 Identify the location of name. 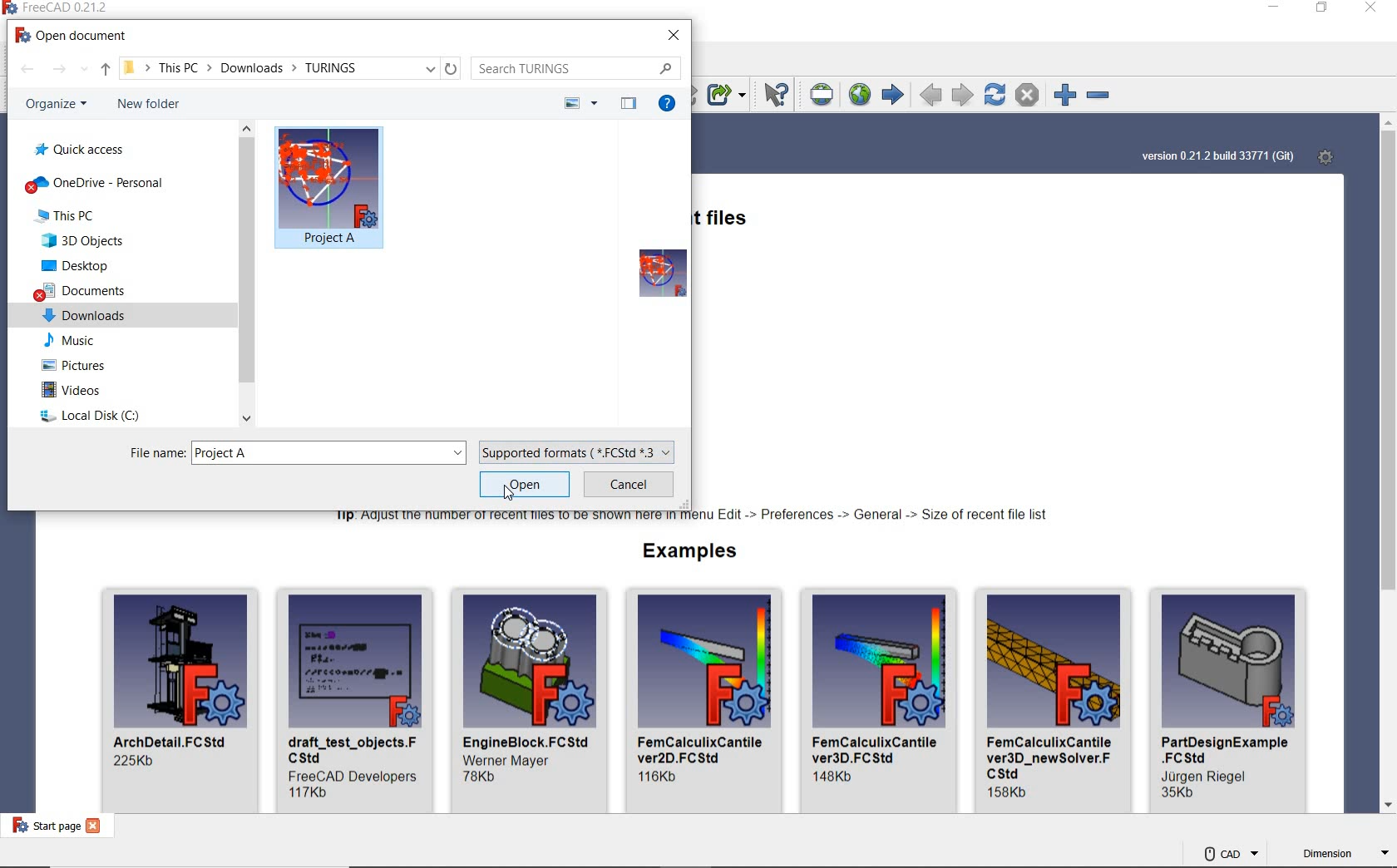
(1051, 756).